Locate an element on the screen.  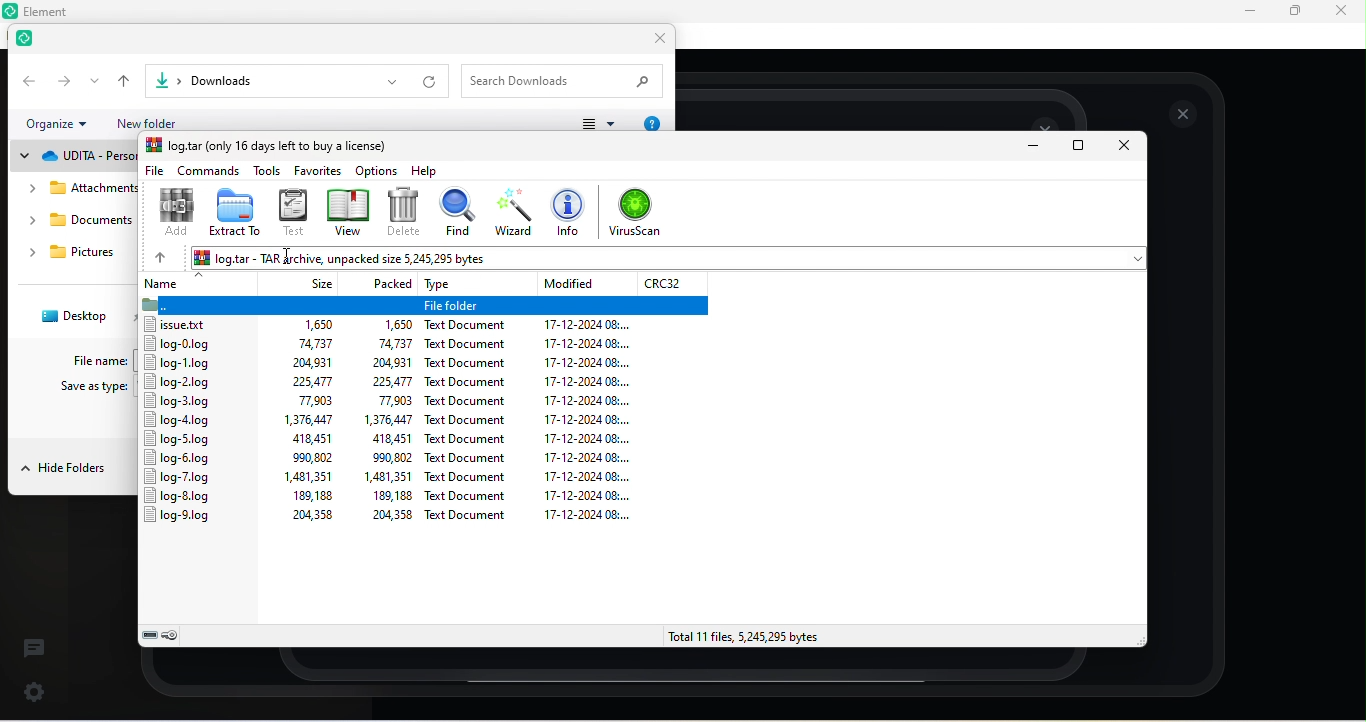
info is located at coordinates (570, 212).